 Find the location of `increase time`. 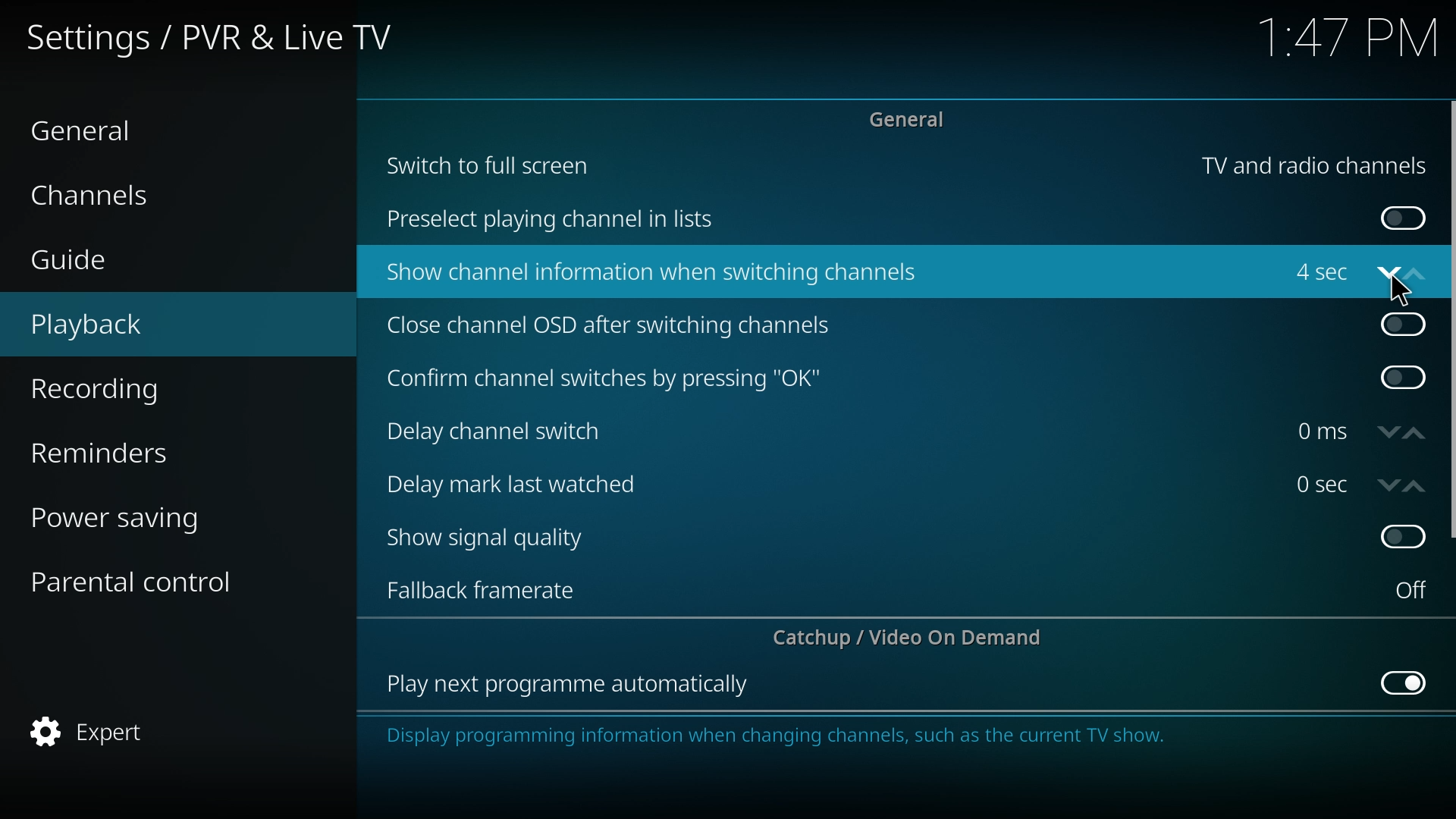

increase time is located at coordinates (1414, 274).